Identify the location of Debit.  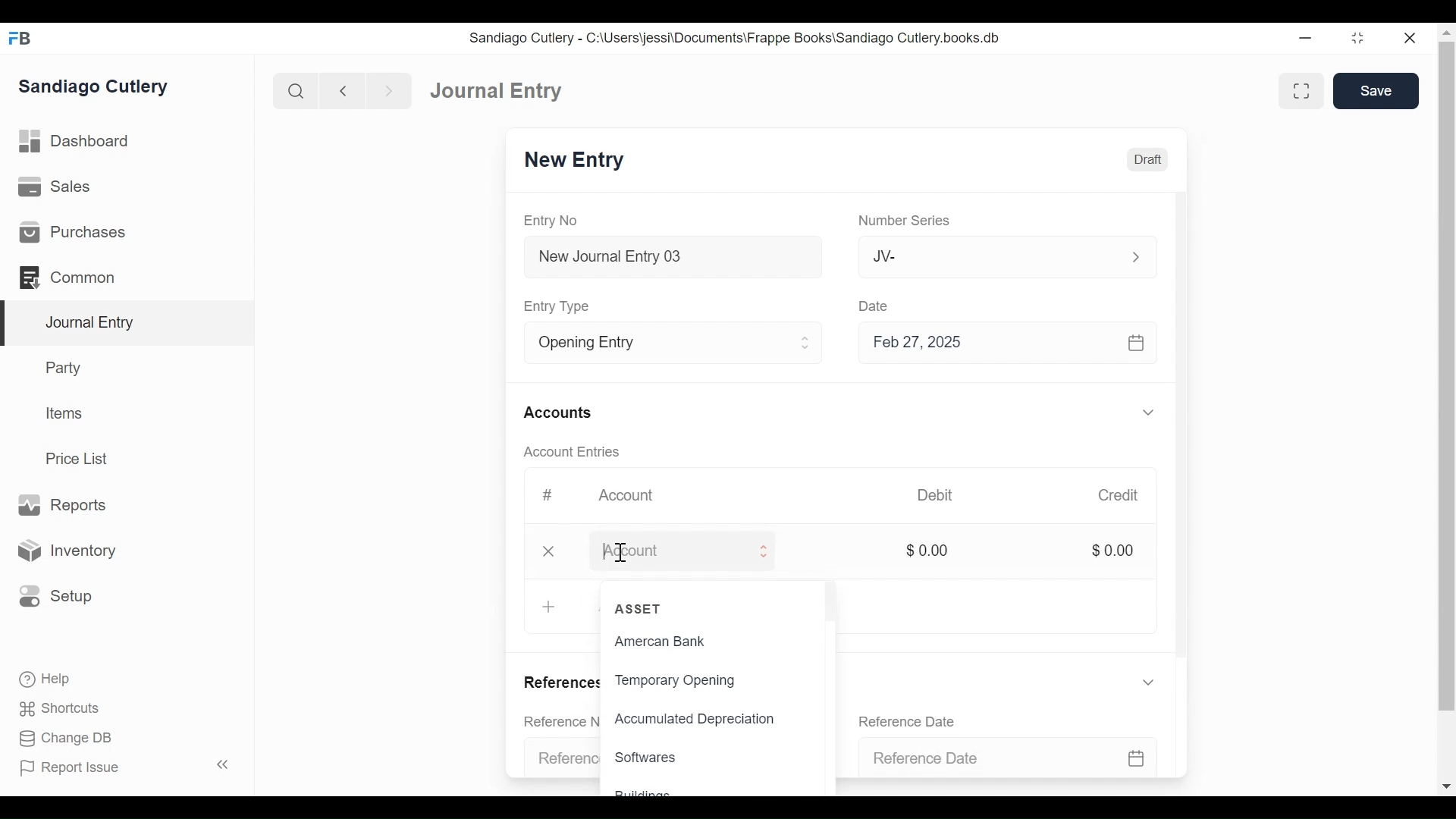
(934, 493).